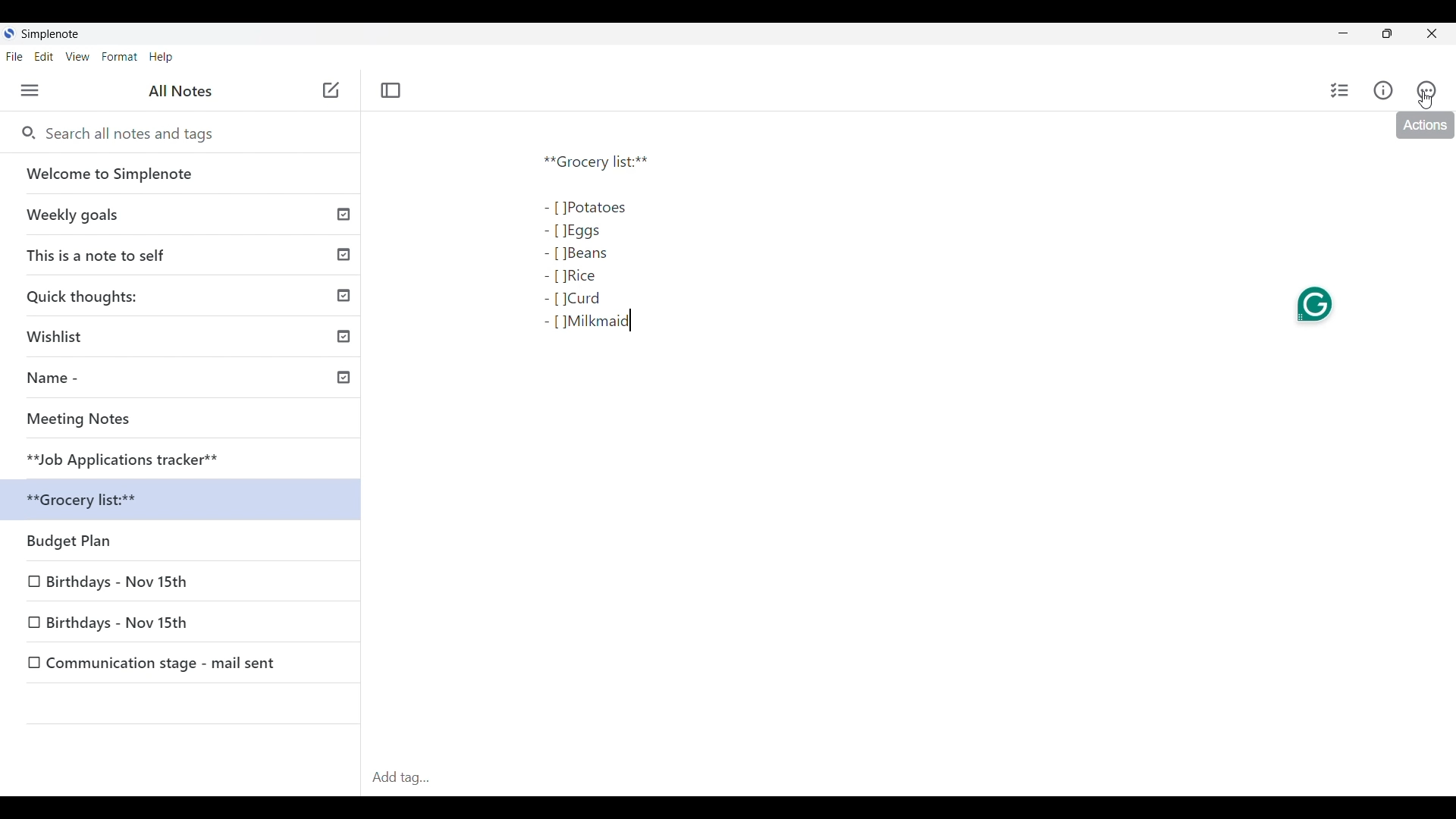 The image size is (1456, 819). I want to click on **Grocery list:** -[]Potatoes -[]Eggs -[]Beans -[]Rice -[]Curd -[]Milkmaid, so click(637, 256).